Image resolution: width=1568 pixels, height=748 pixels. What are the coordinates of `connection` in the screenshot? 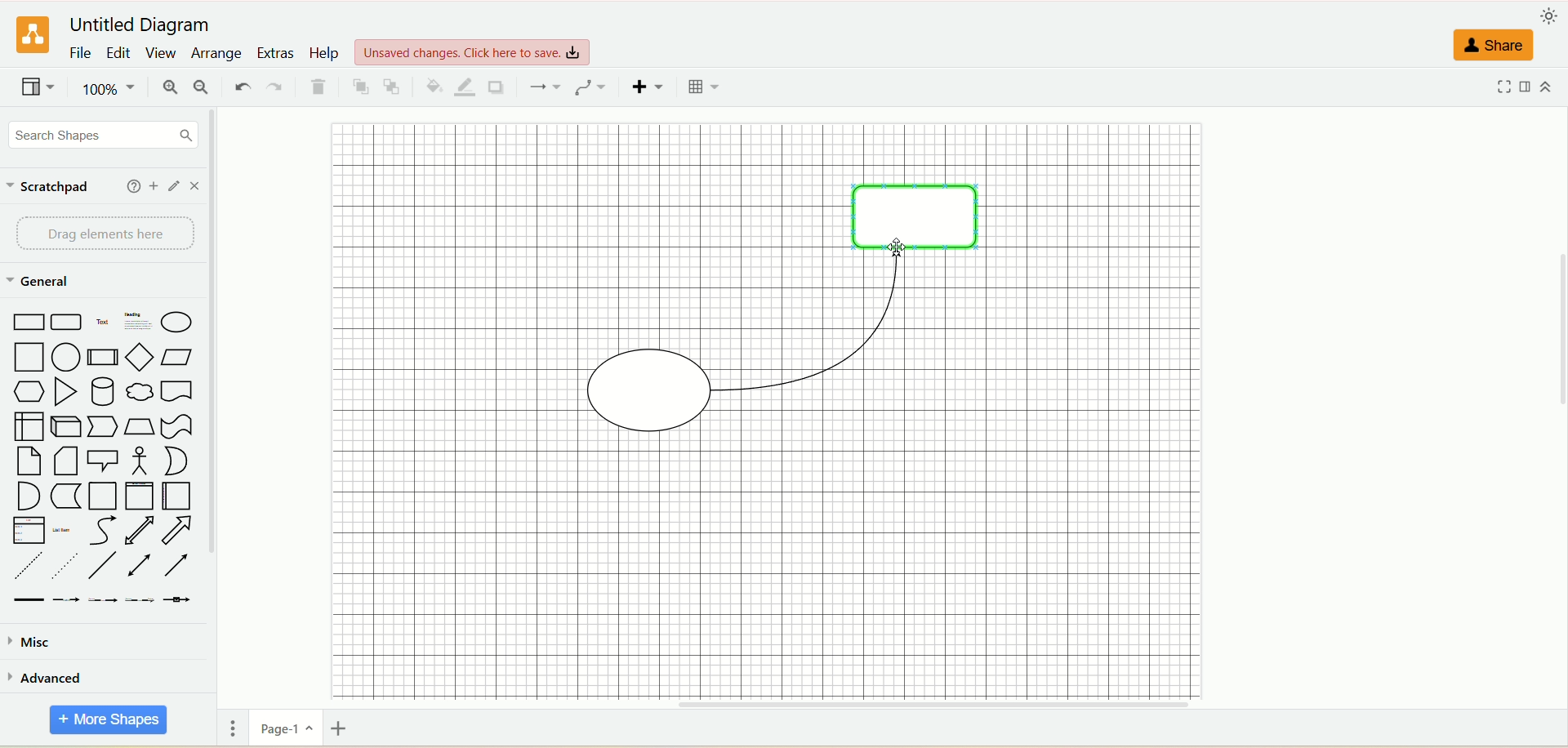 It's located at (543, 86).